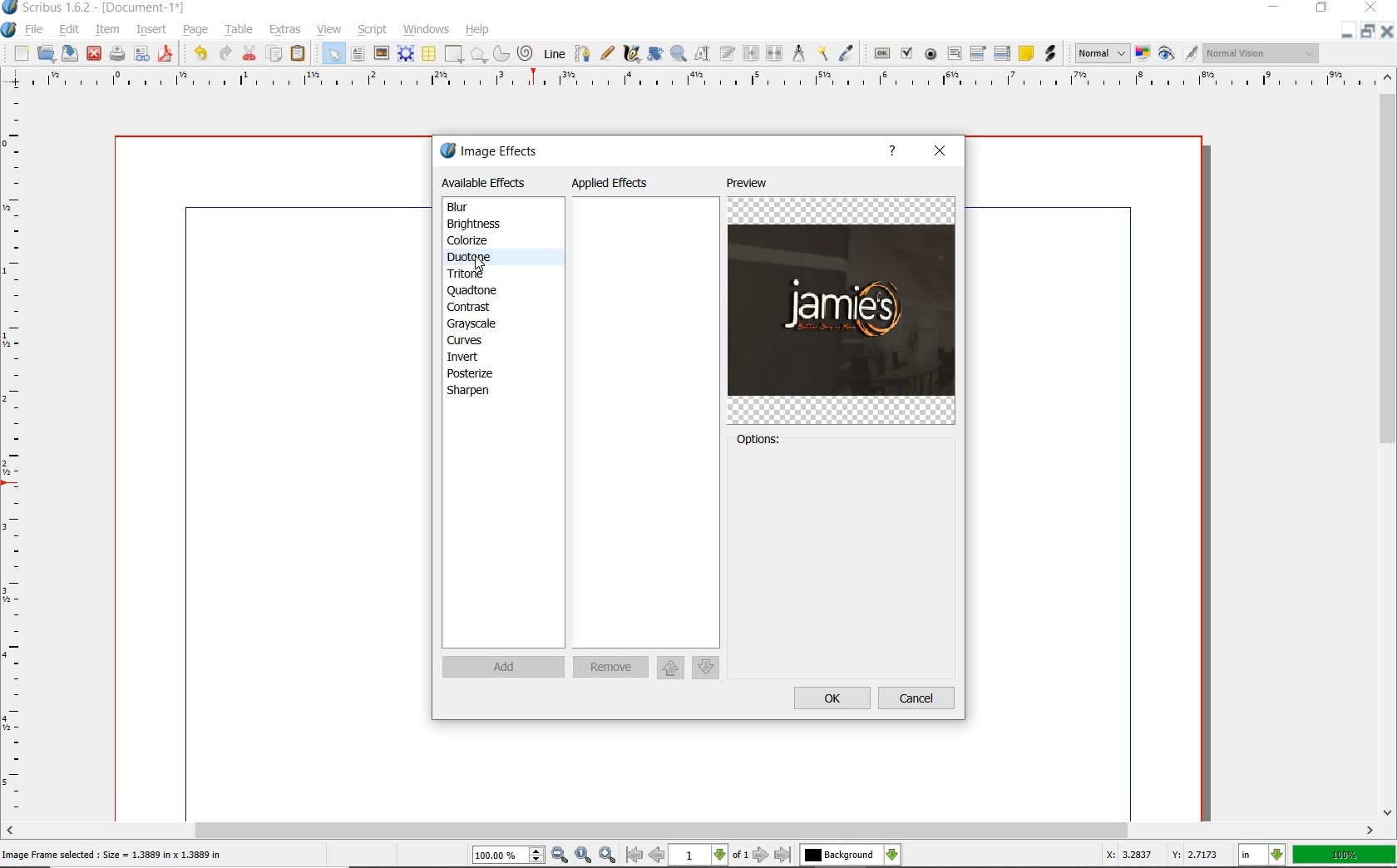 The height and width of the screenshot is (868, 1397). Describe the element at coordinates (427, 29) in the screenshot. I see `windows` at that location.